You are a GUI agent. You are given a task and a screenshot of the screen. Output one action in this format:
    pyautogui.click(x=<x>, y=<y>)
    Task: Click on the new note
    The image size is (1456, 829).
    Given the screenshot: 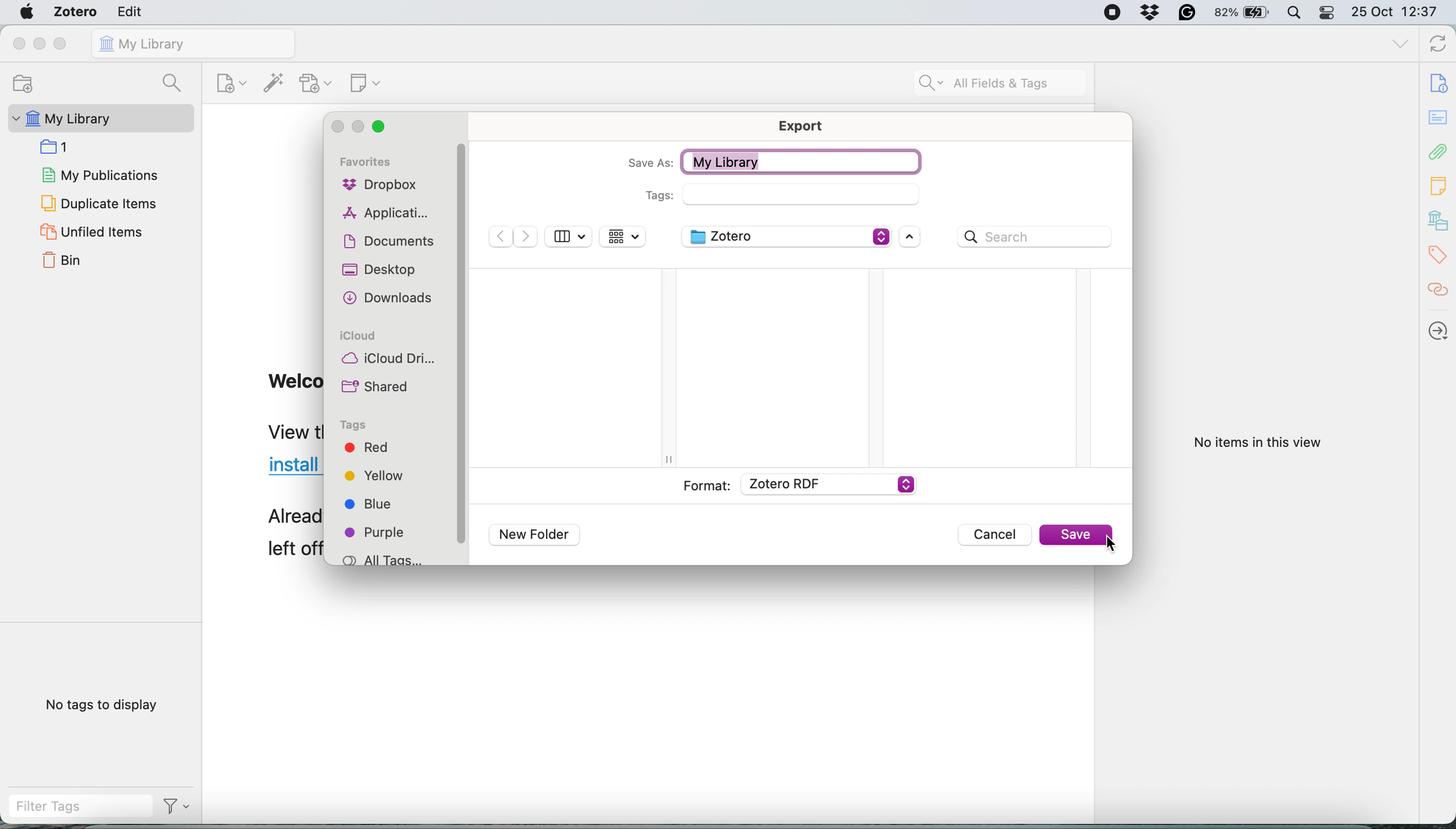 What is the action you would take?
    pyautogui.click(x=367, y=84)
    